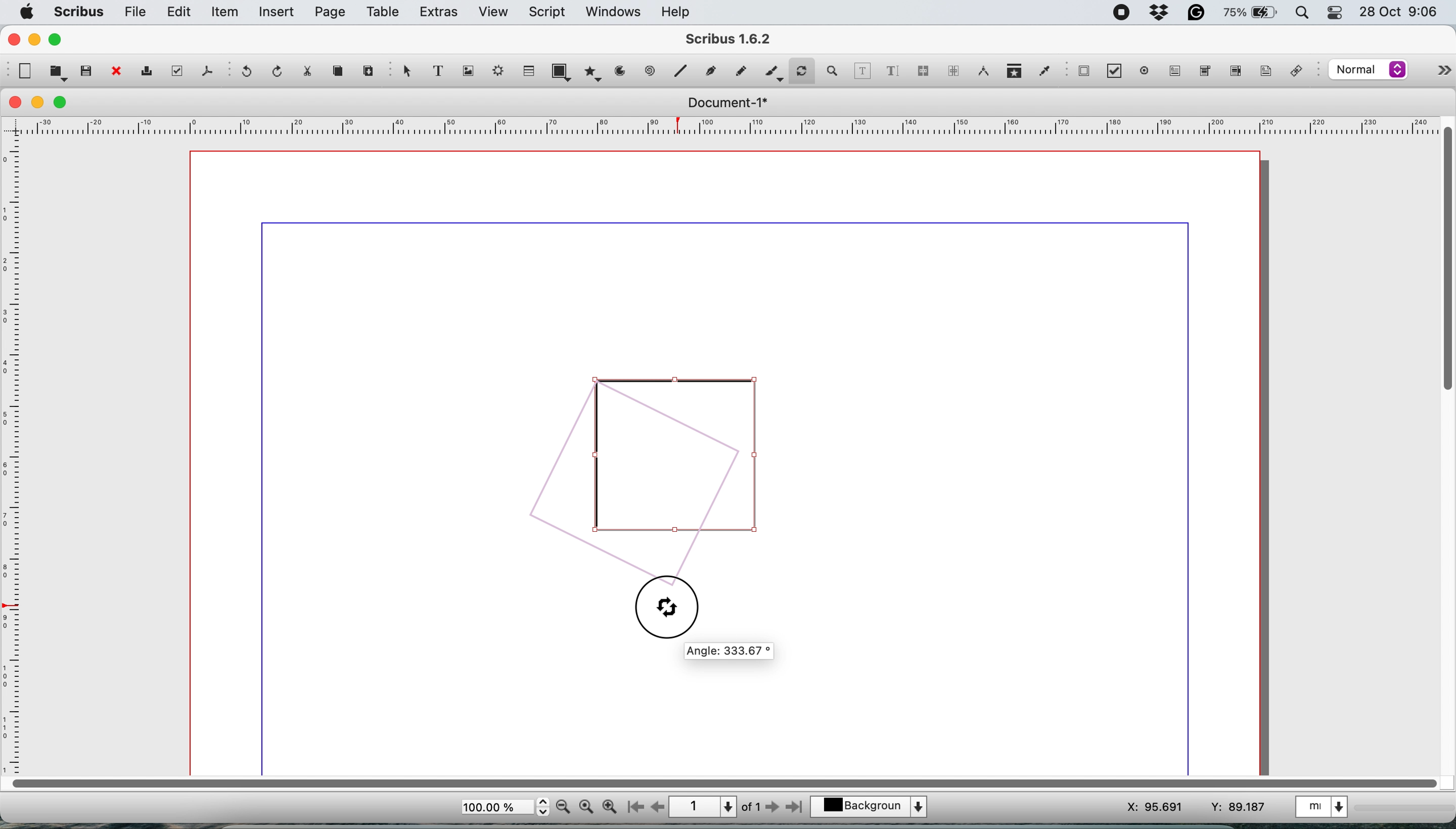 This screenshot has width=1456, height=829. I want to click on paste, so click(368, 72).